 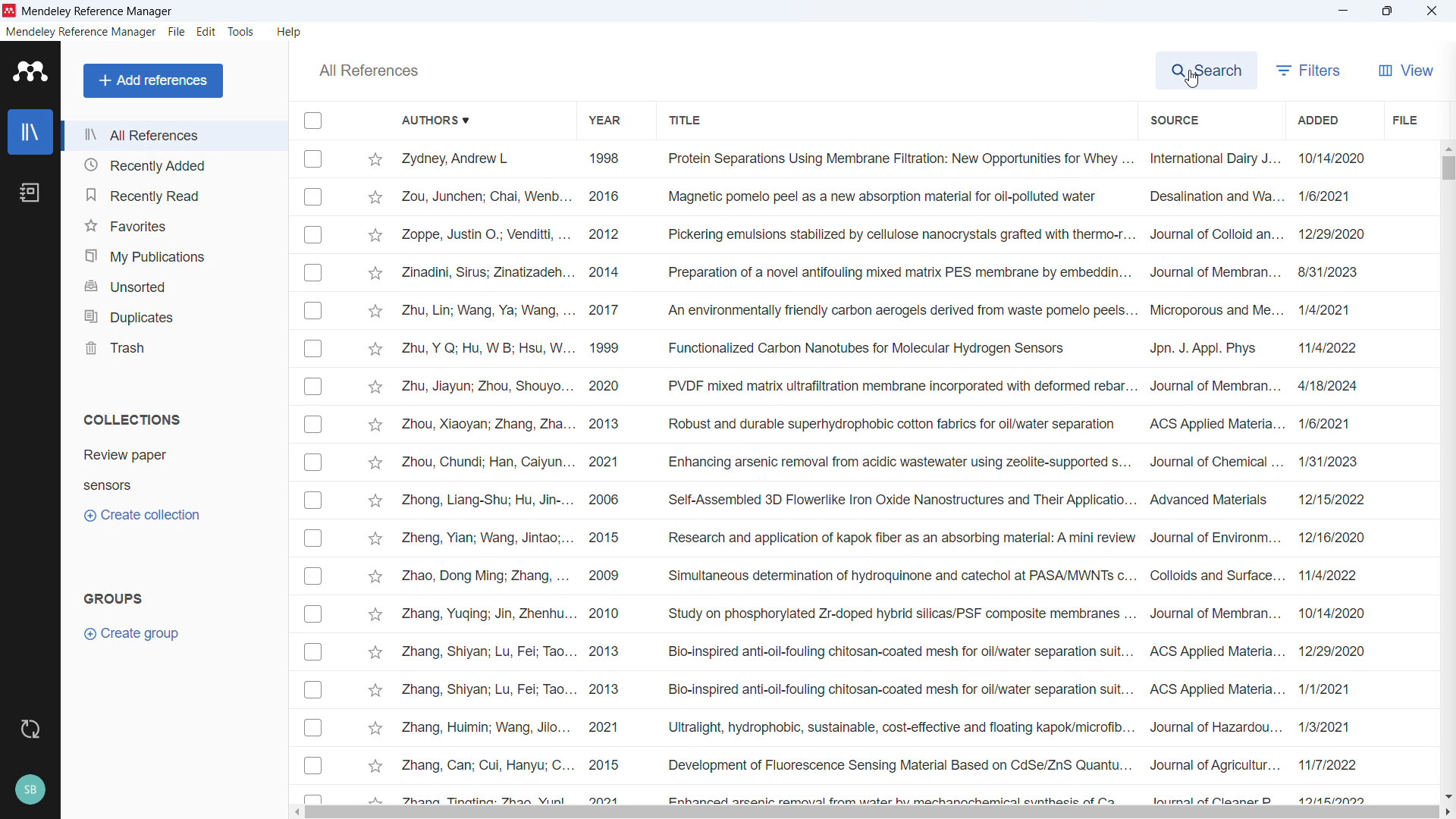 I want to click on Sort by authors , so click(x=432, y=119).